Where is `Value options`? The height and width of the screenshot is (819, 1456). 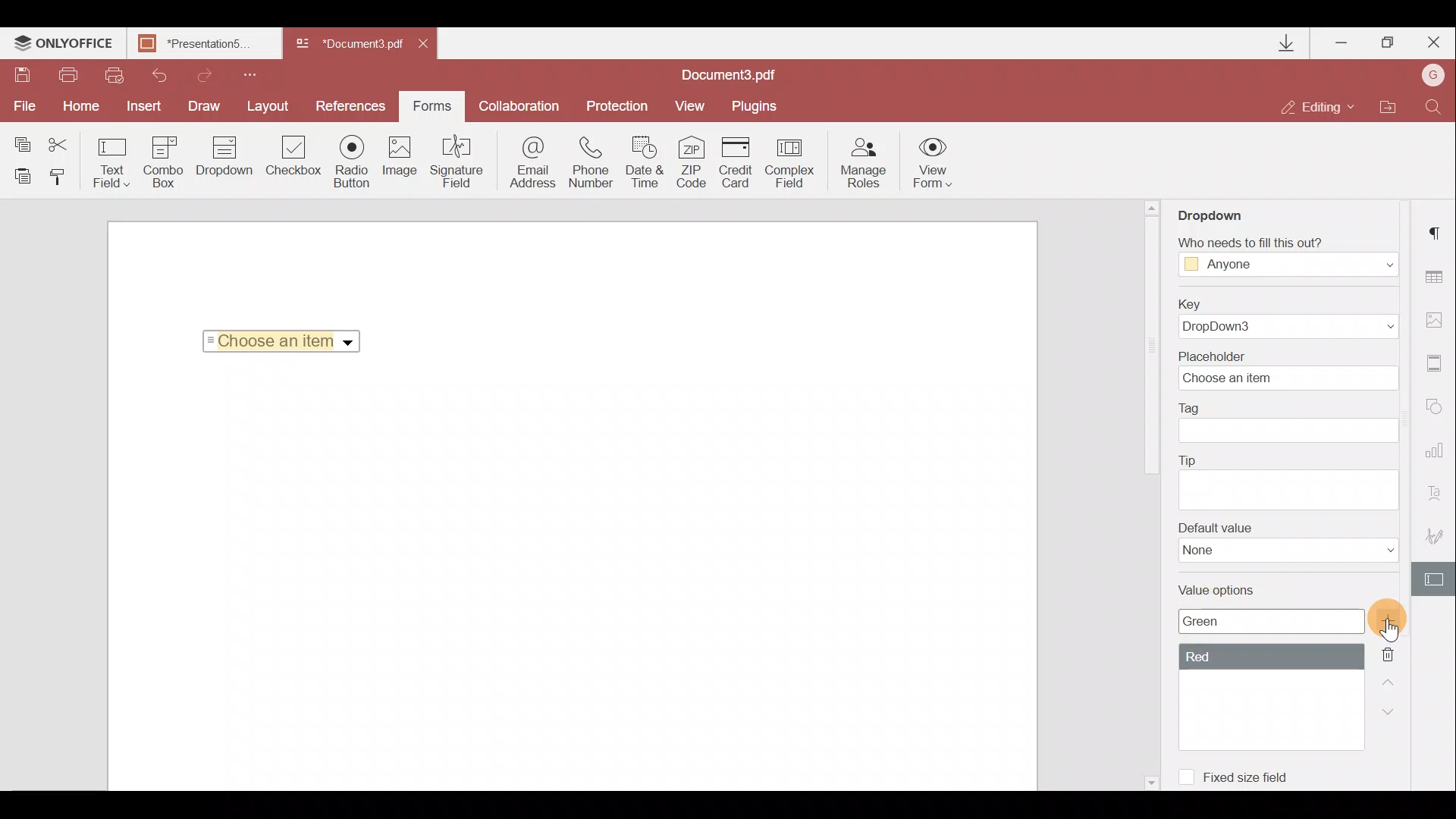 Value options is located at coordinates (1269, 662).